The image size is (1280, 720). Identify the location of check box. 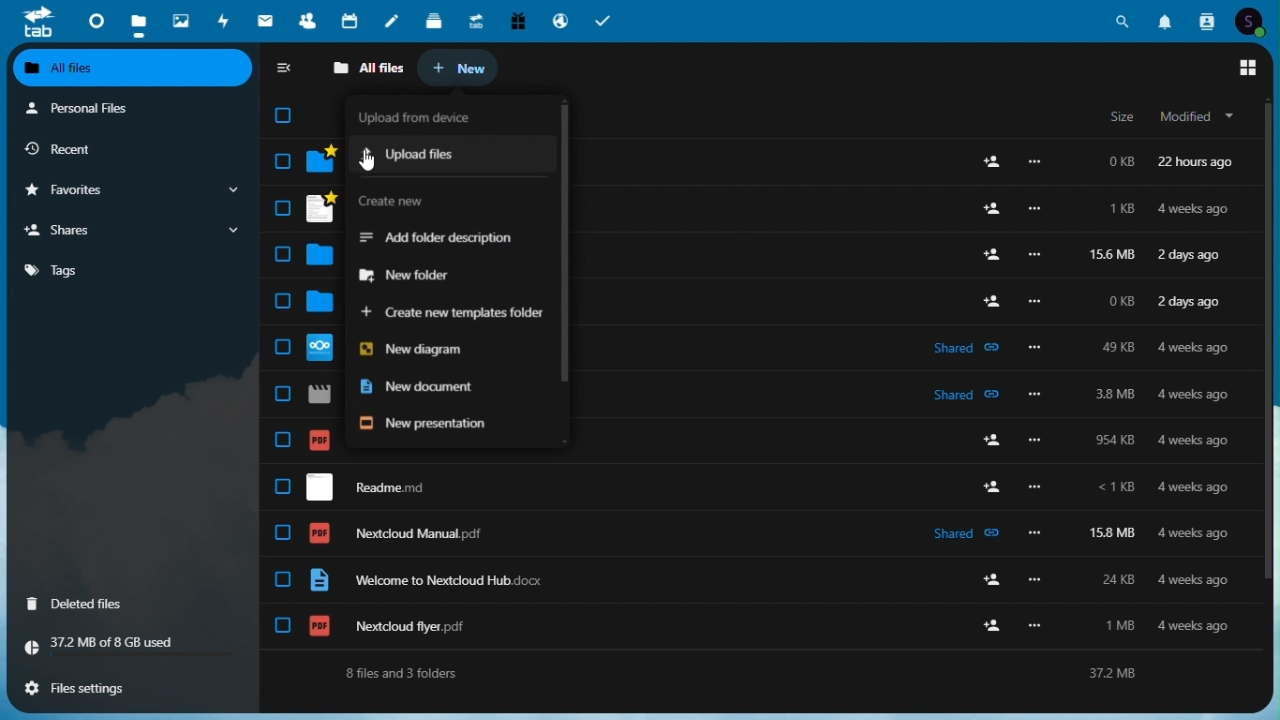
(280, 346).